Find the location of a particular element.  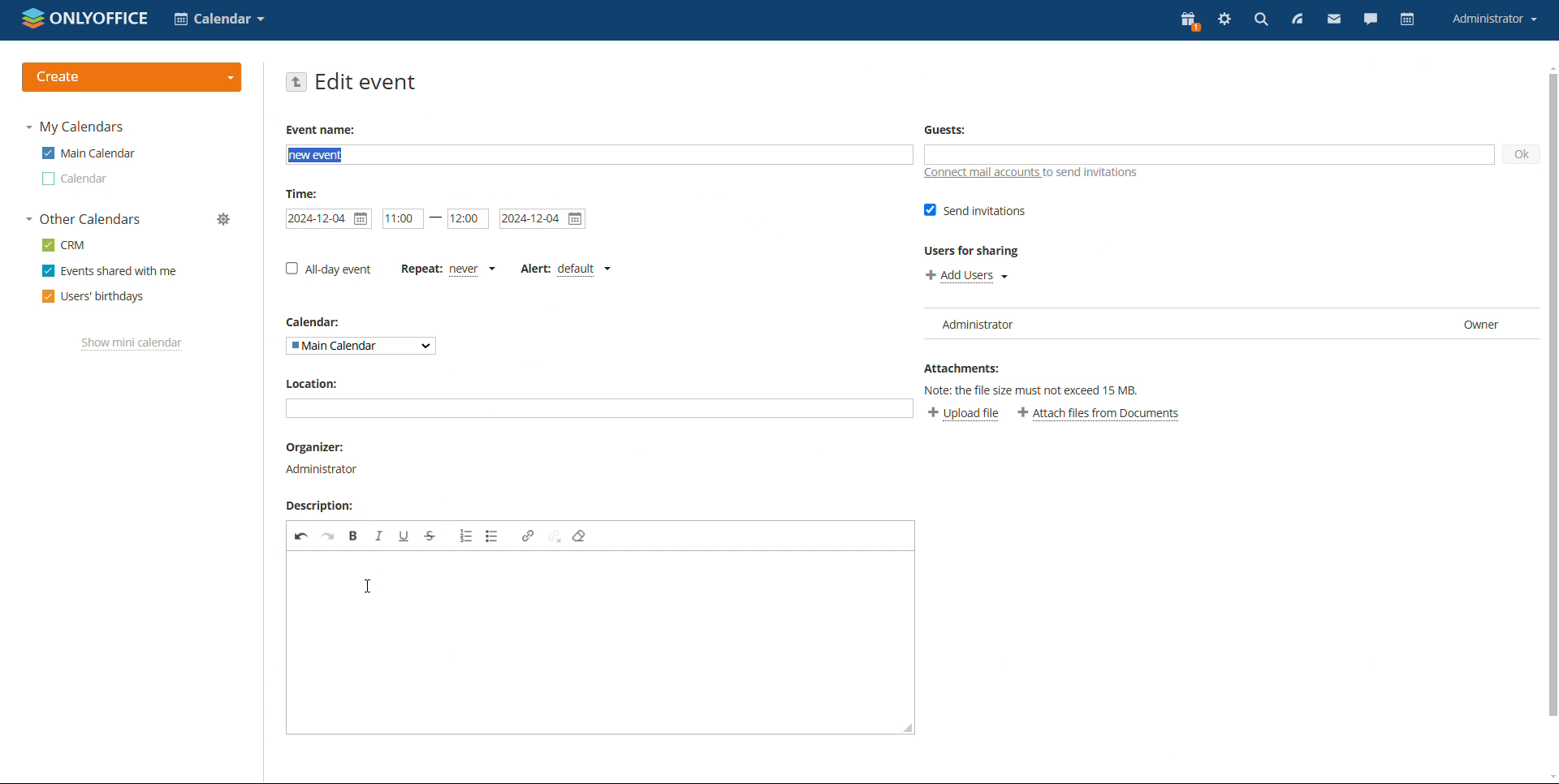

end time is located at coordinates (469, 218).